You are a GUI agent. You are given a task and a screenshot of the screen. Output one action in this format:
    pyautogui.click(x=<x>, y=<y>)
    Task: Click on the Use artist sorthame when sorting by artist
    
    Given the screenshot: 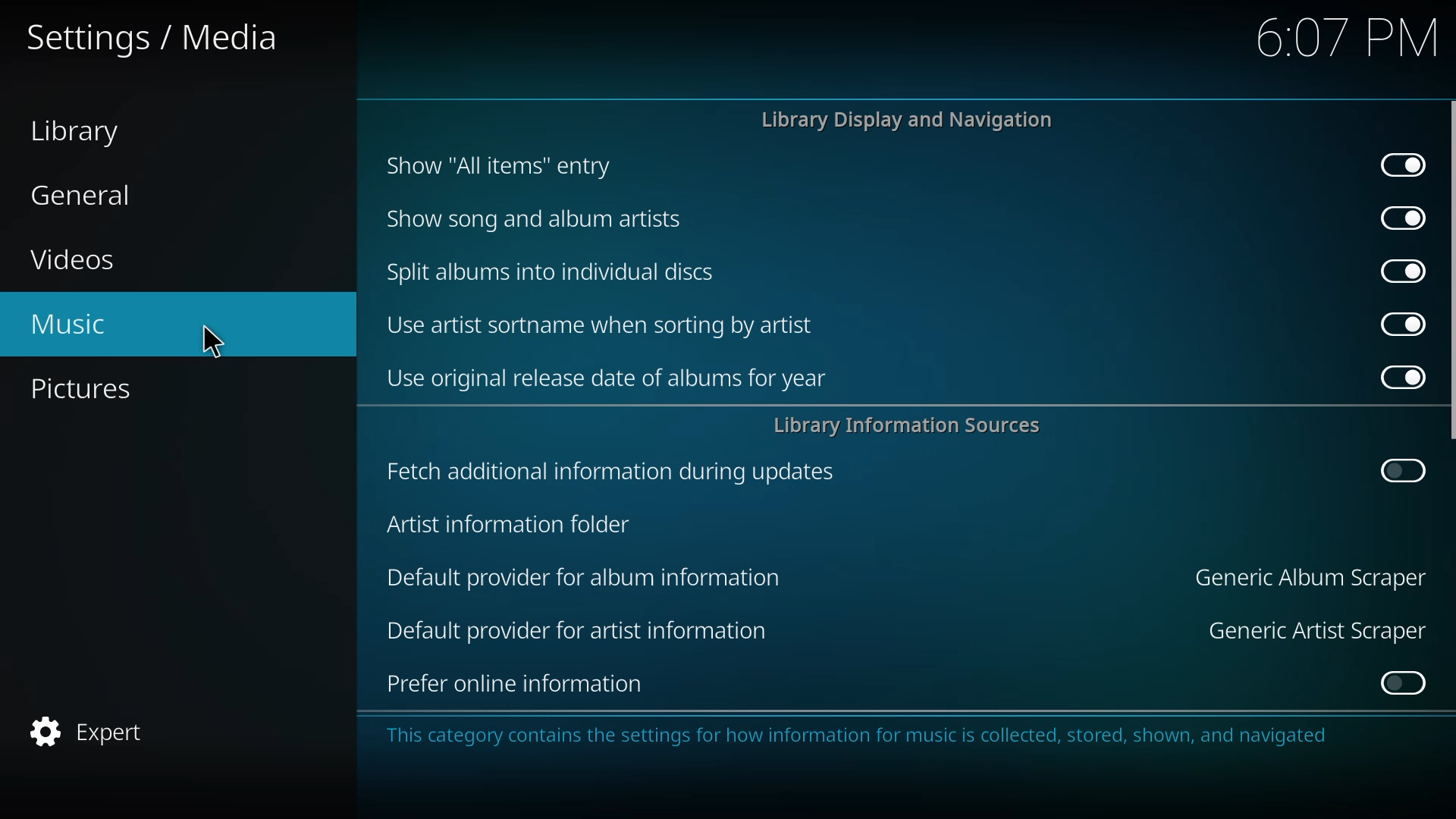 What is the action you would take?
    pyautogui.click(x=606, y=328)
    